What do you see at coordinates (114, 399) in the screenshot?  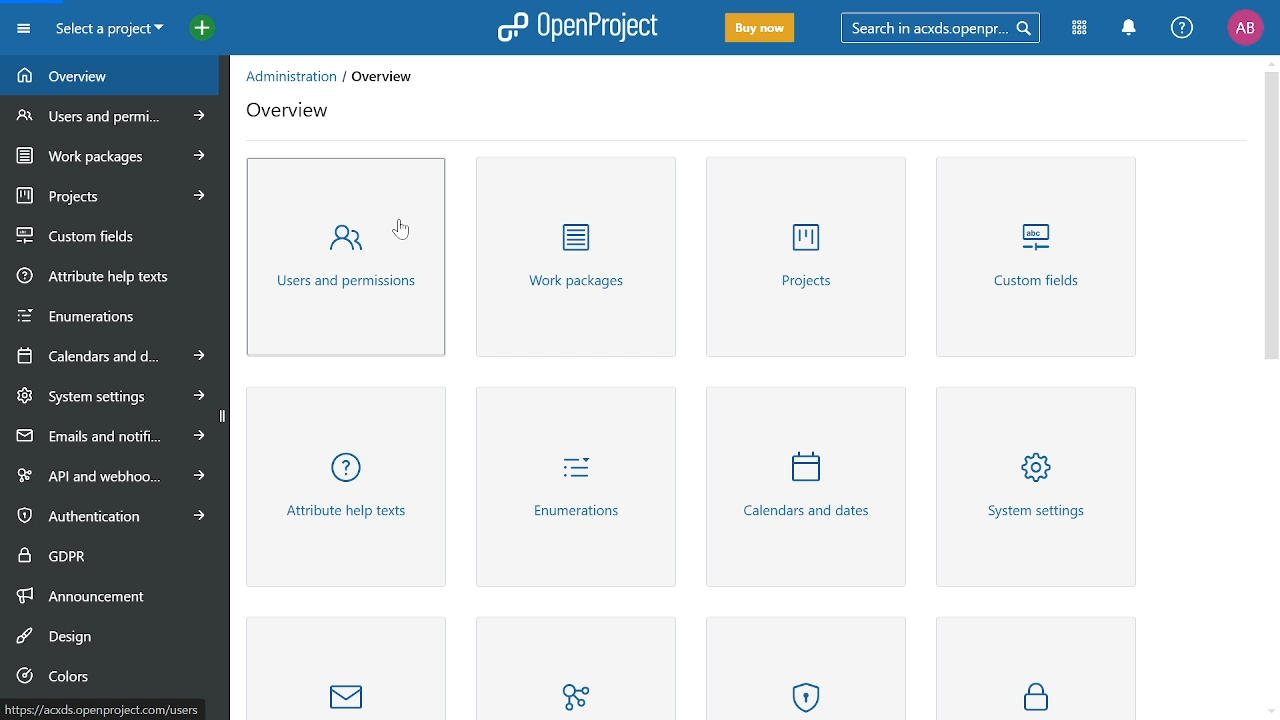 I see `System settings` at bounding box center [114, 399].